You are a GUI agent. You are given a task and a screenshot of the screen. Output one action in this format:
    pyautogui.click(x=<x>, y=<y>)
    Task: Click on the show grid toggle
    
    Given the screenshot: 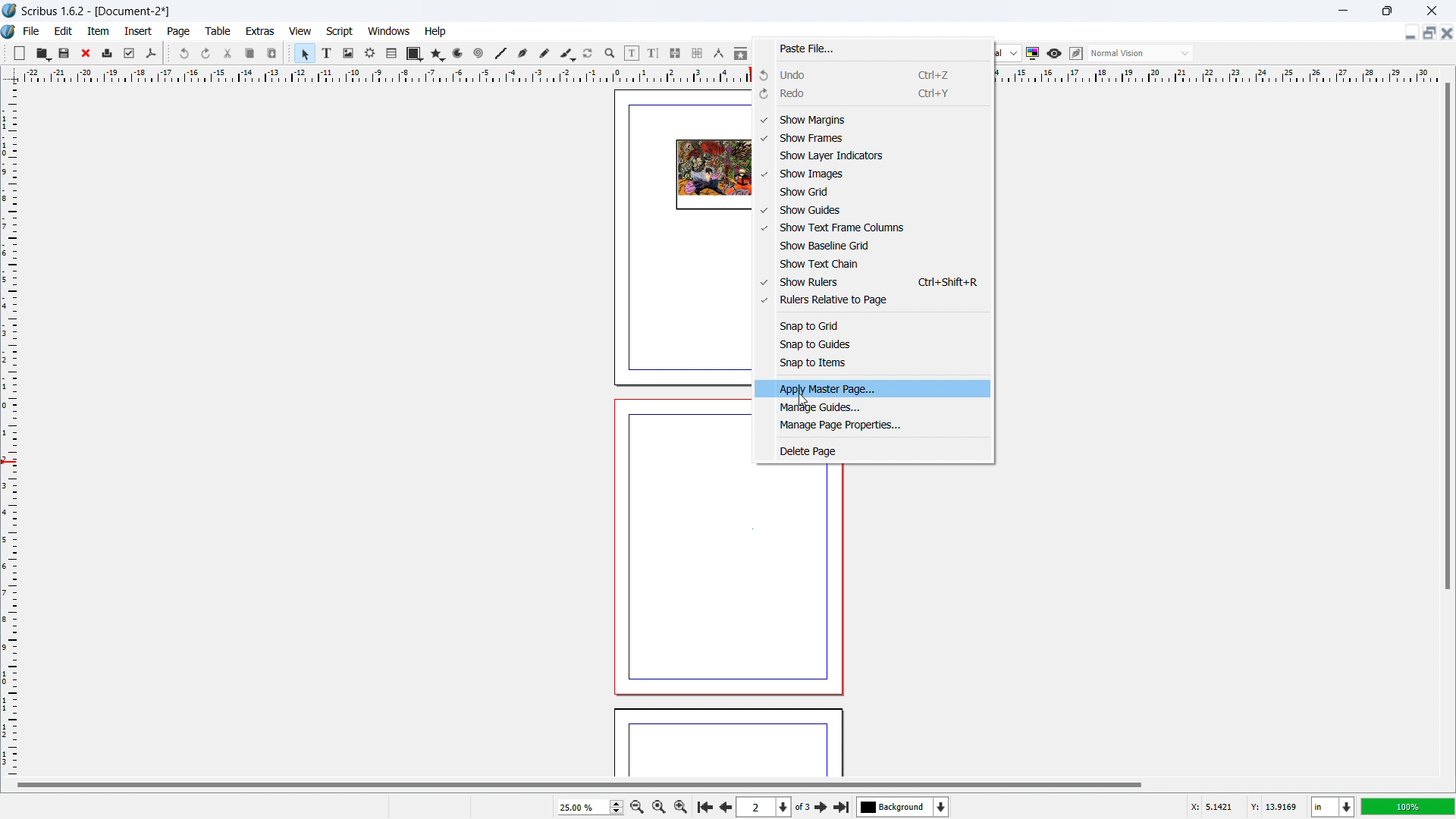 What is the action you would take?
    pyautogui.click(x=874, y=192)
    